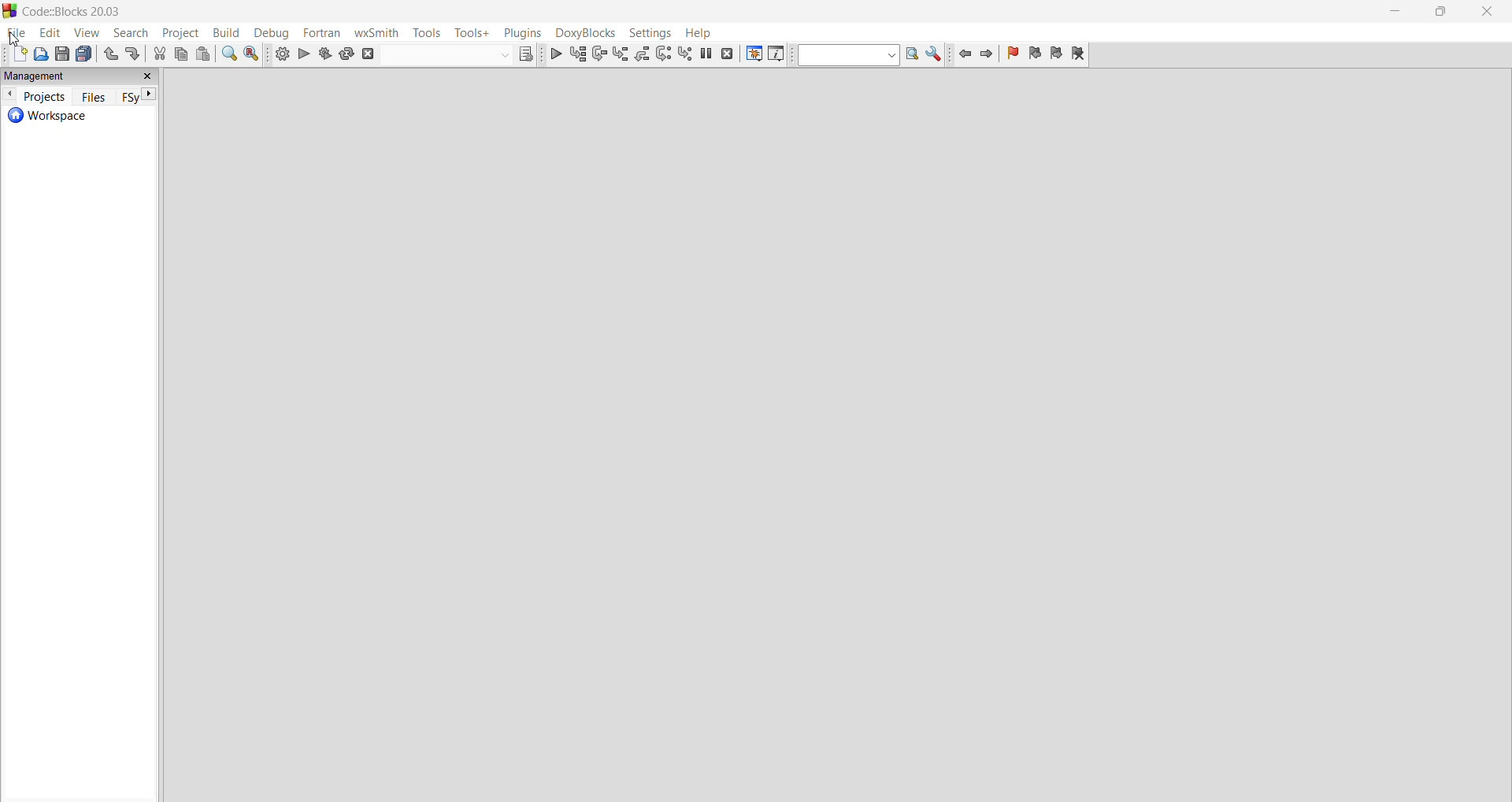 Image resolution: width=1512 pixels, height=802 pixels. I want to click on show the select target dialog, so click(528, 56).